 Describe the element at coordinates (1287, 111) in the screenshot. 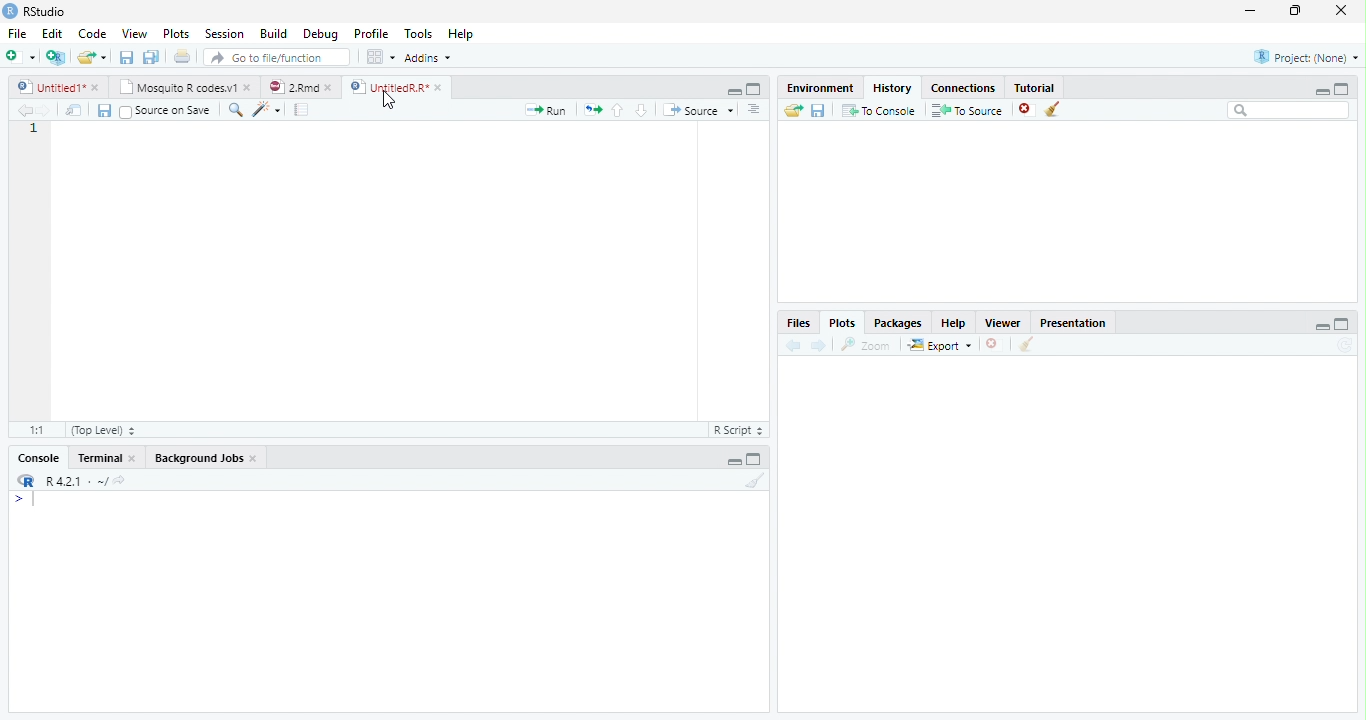

I see `Search` at that location.